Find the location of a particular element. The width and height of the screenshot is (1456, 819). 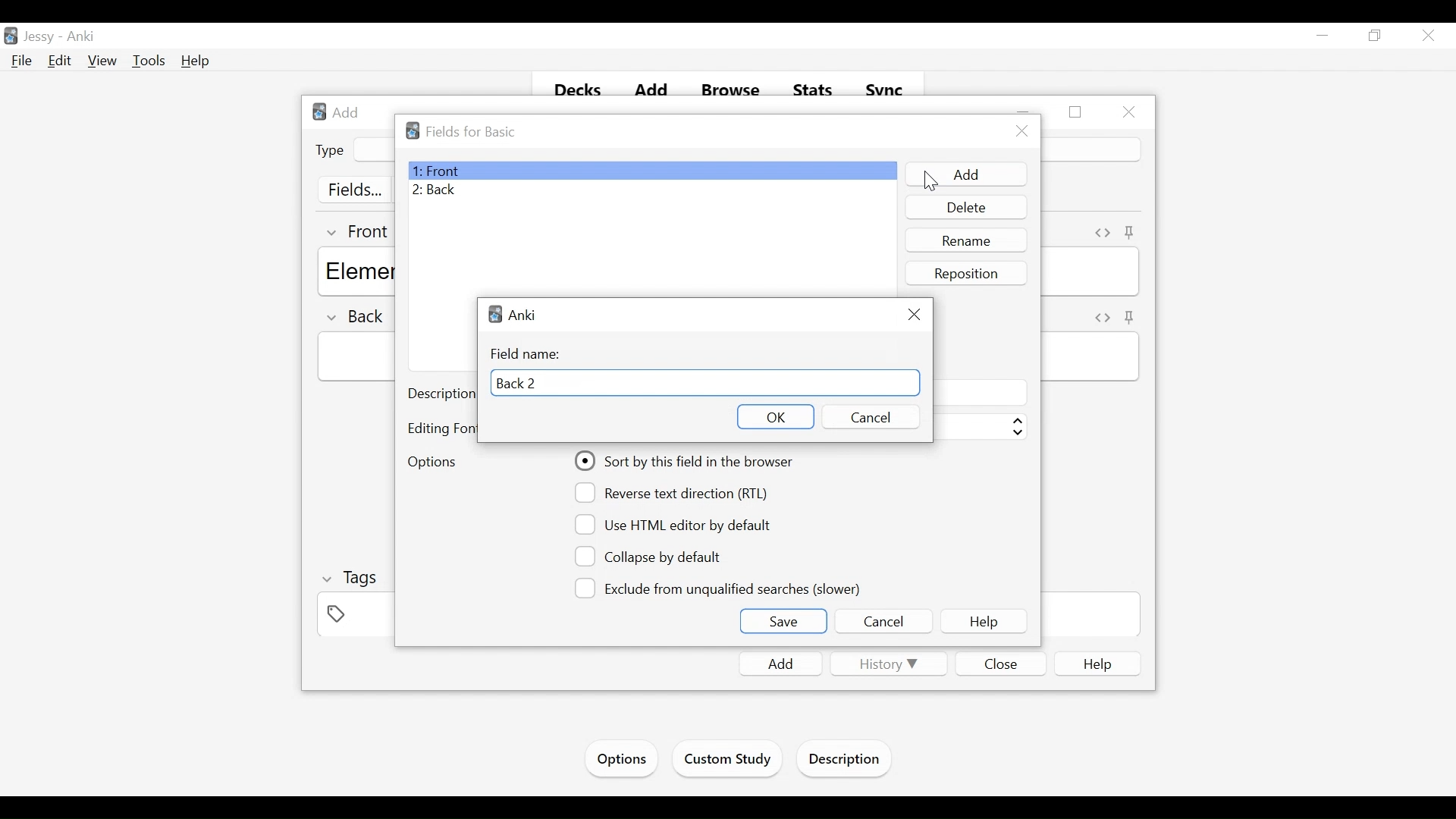

Anki is located at coordinates (516, 314).